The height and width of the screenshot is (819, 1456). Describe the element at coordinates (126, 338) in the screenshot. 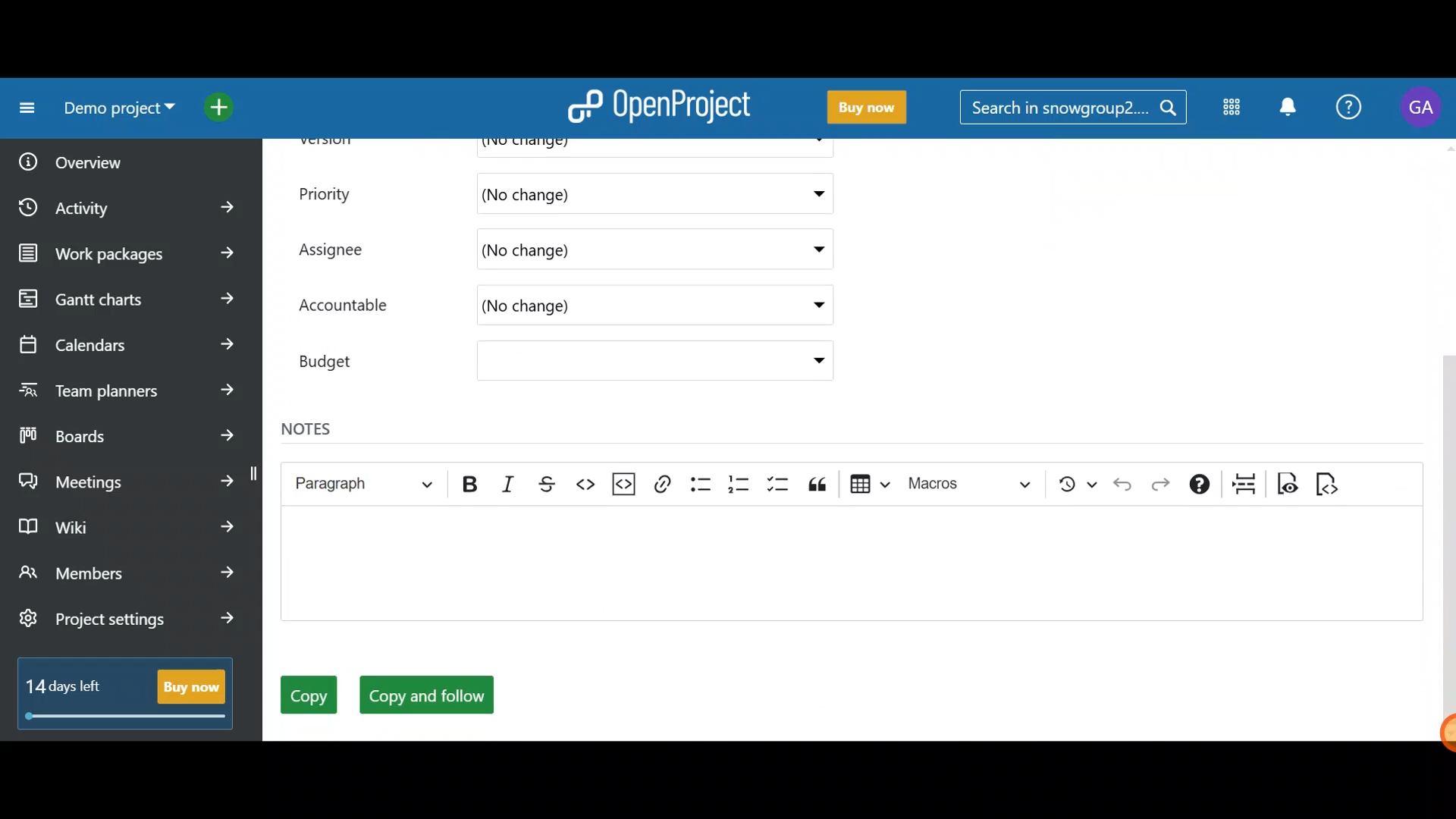

I see `Calendars` at that location.